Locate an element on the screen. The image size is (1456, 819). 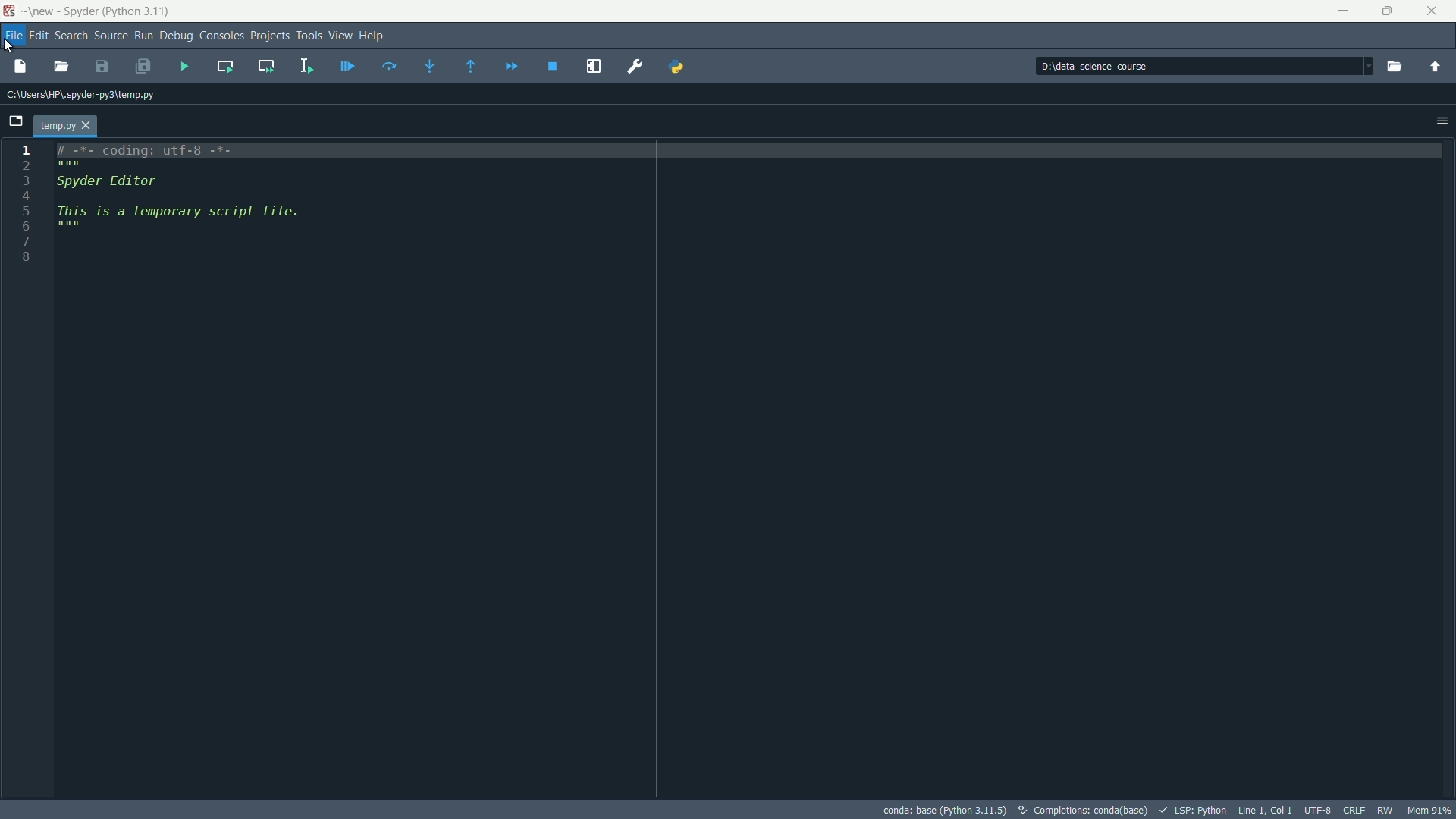
run menu is located at coordinates (143, 36).